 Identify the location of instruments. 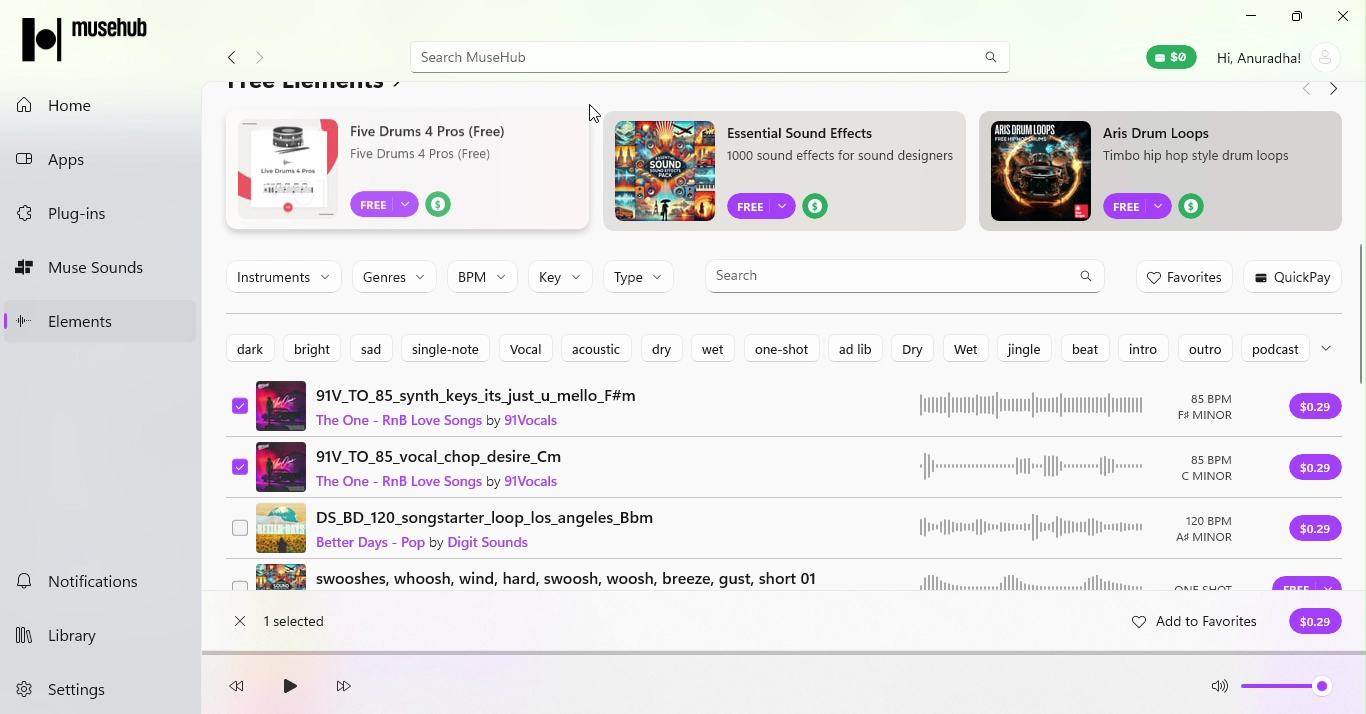
(284, 276).